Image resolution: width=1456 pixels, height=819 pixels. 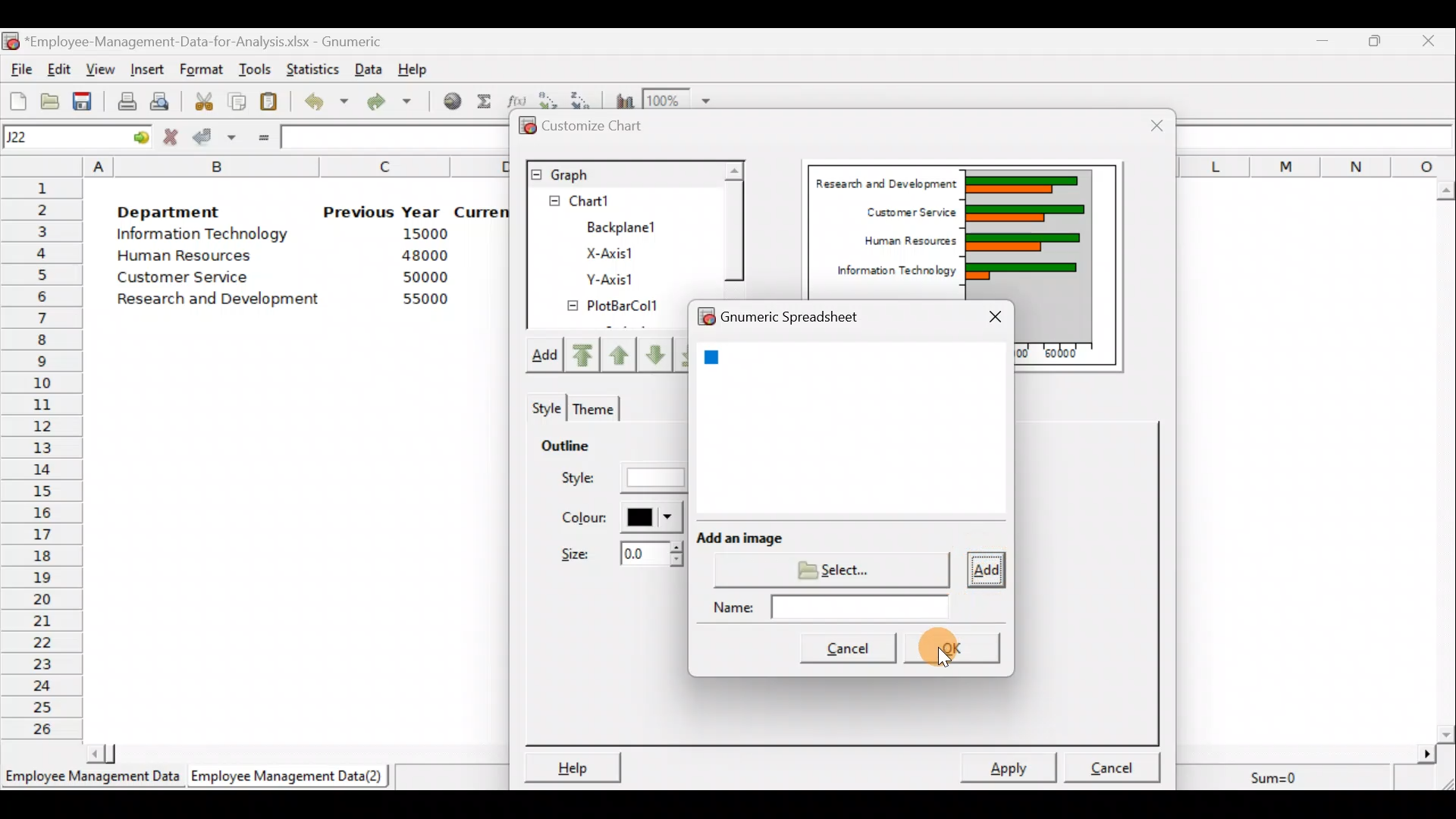 I want to click on Sort in descending order, so click(x=583, y=98).